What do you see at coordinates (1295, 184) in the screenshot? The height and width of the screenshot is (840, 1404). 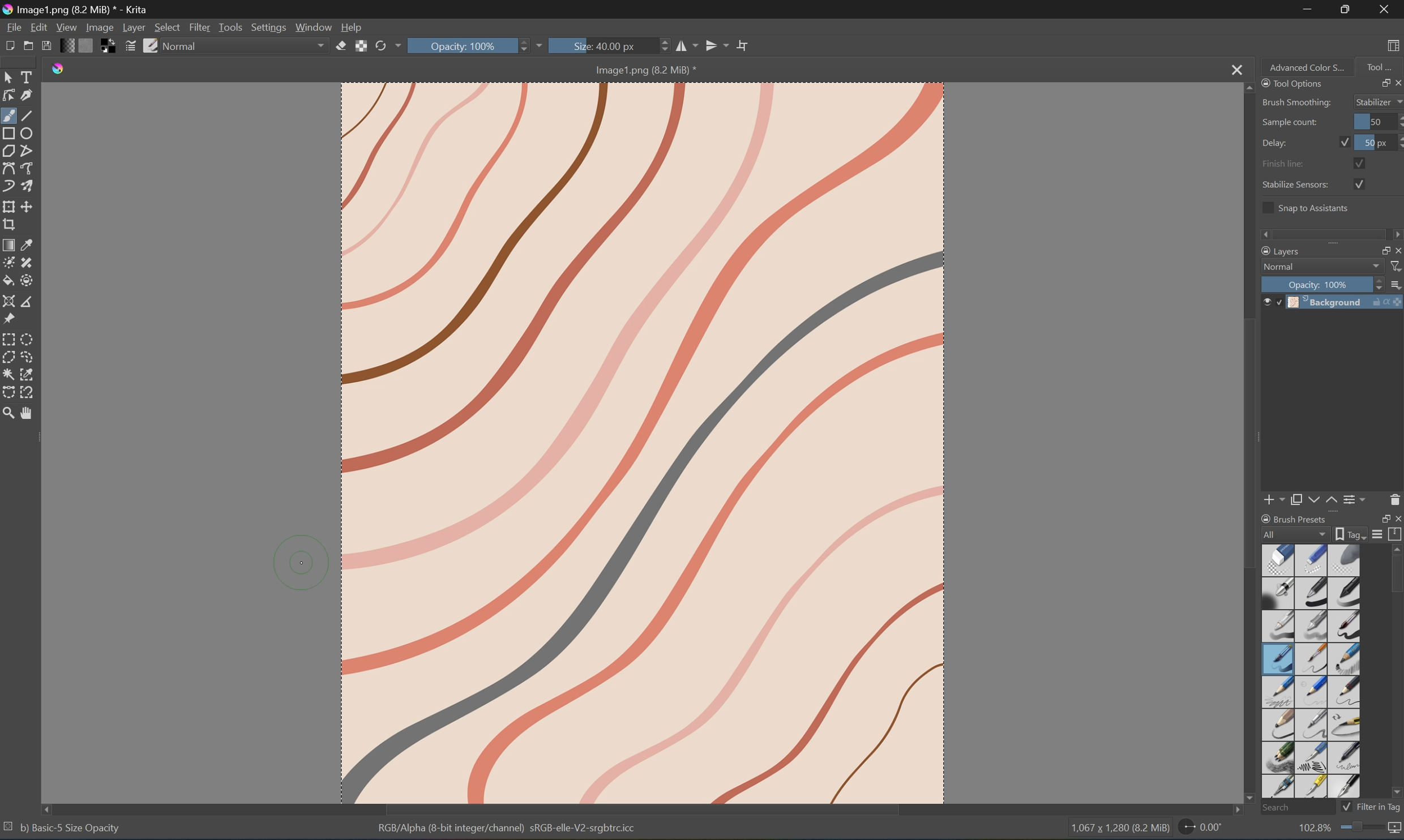 I see `Stabilize Sensors` at bounding box center [1295, 184].